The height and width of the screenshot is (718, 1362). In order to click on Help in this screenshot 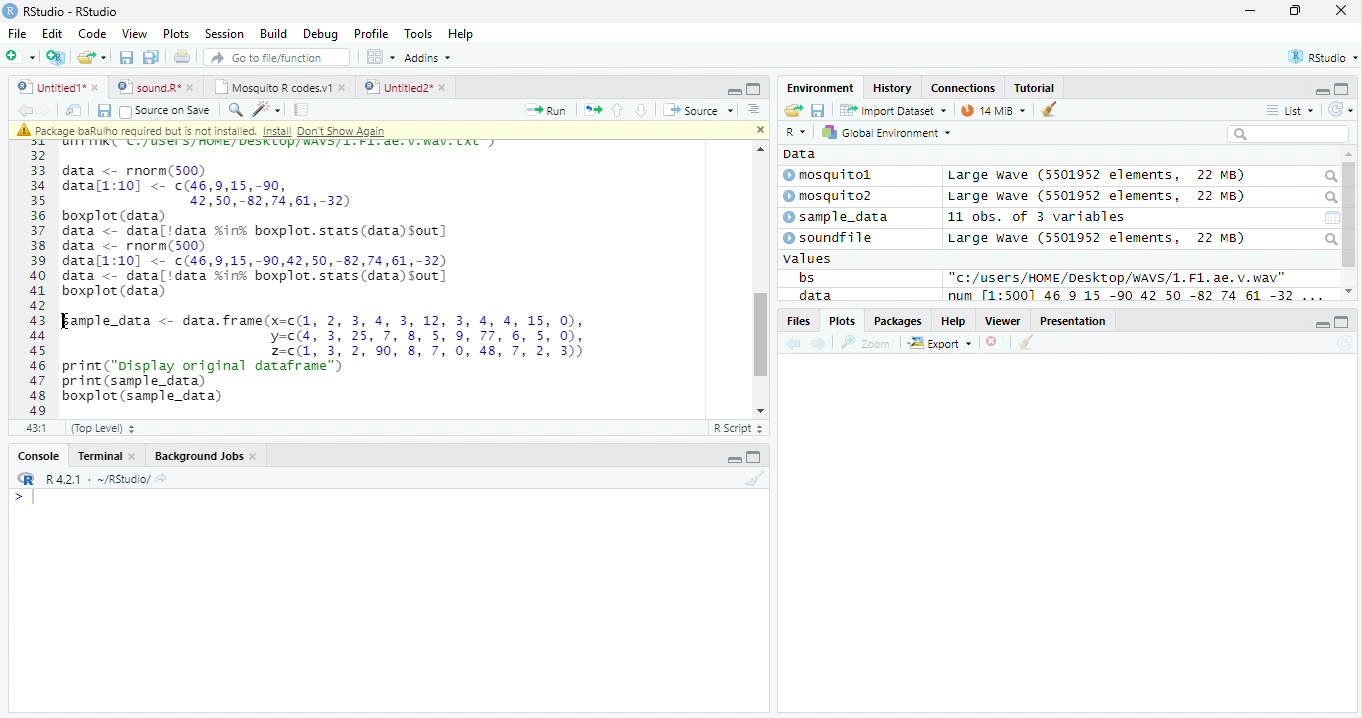, I will do `click(954, 320)`.